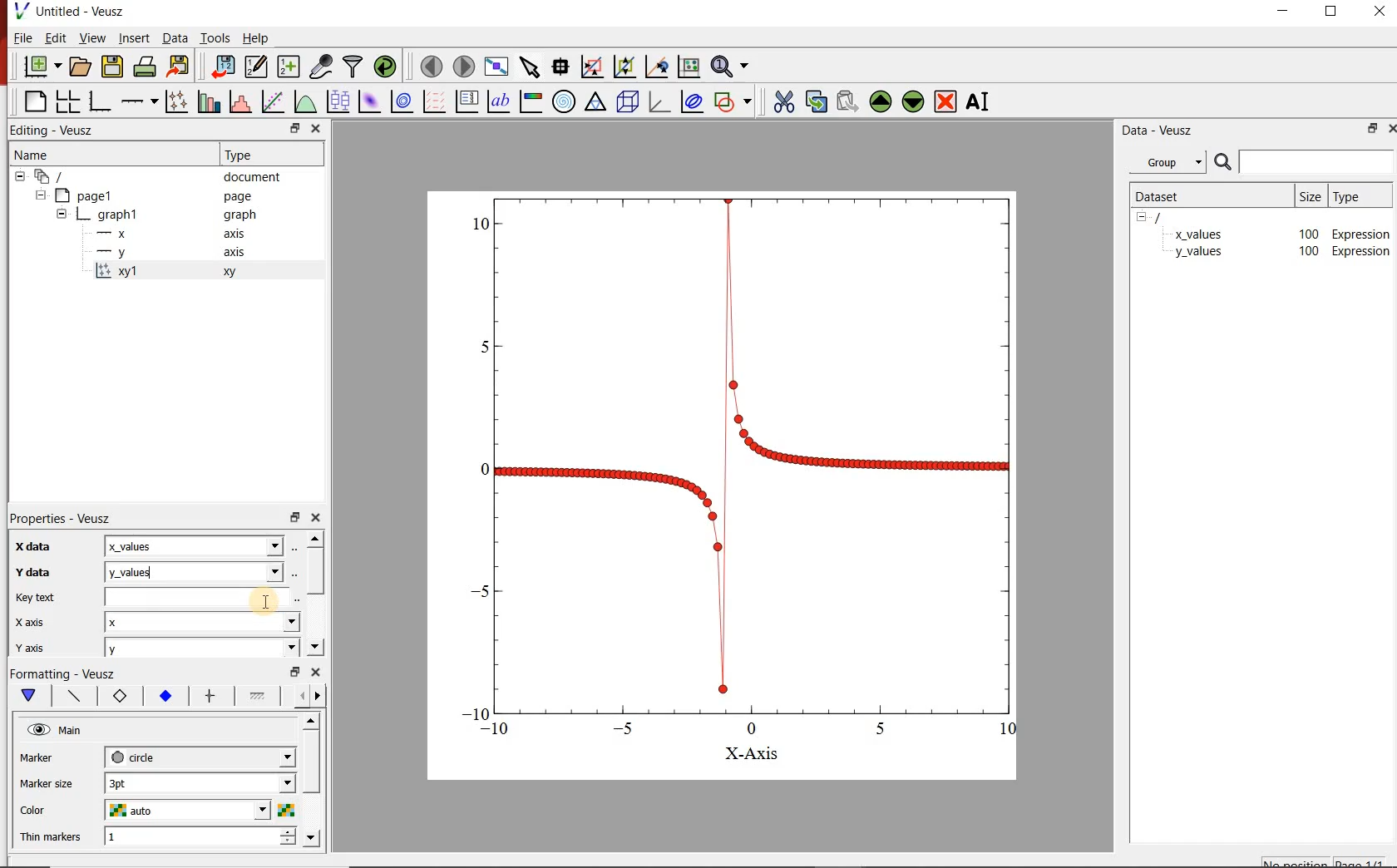 This screenshot has width=1397, height=868. Describe the element at coordinates (24, 37) in the screenshot. I see `file` at that location.